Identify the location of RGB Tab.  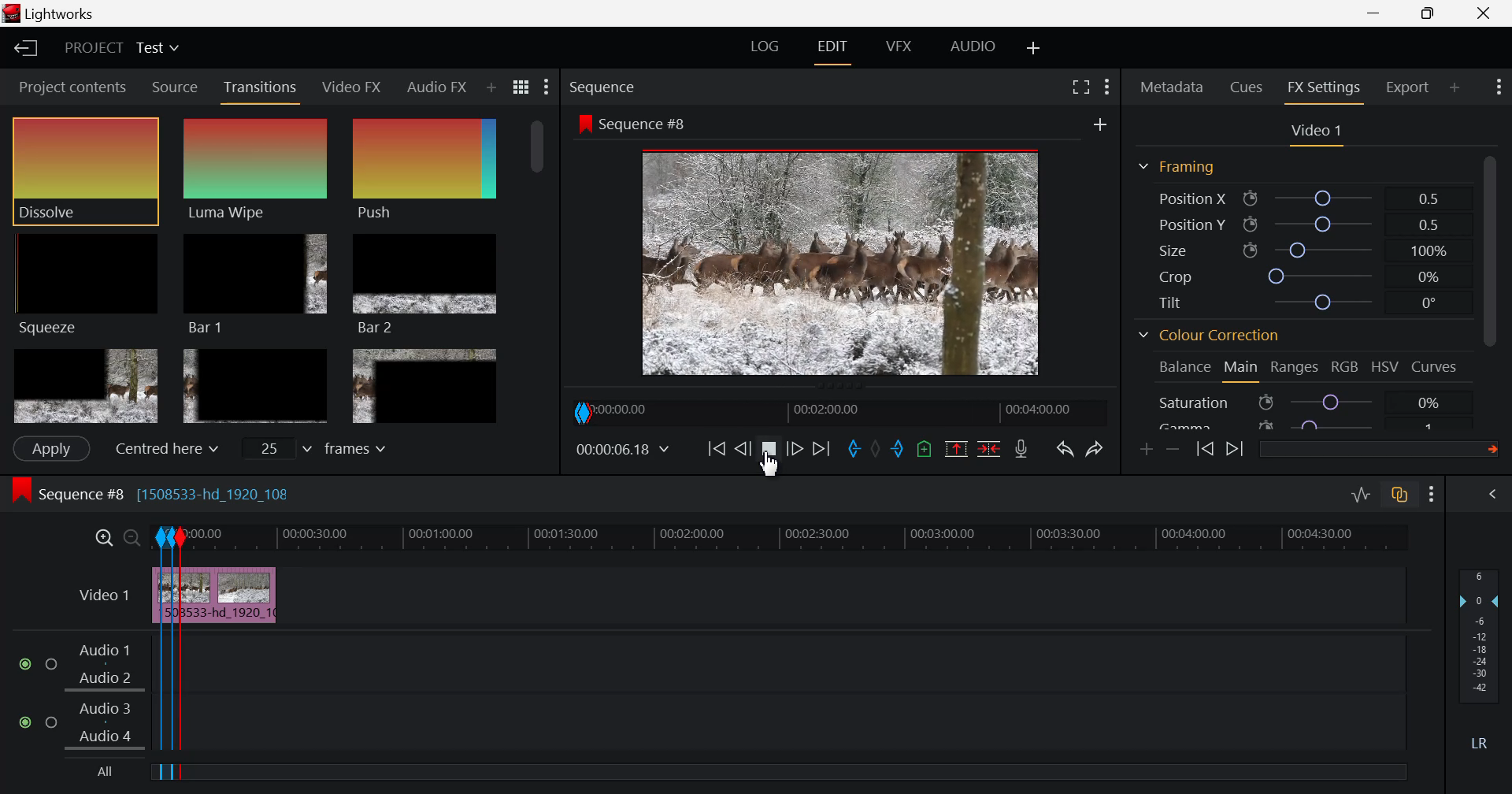
(1347, 369).